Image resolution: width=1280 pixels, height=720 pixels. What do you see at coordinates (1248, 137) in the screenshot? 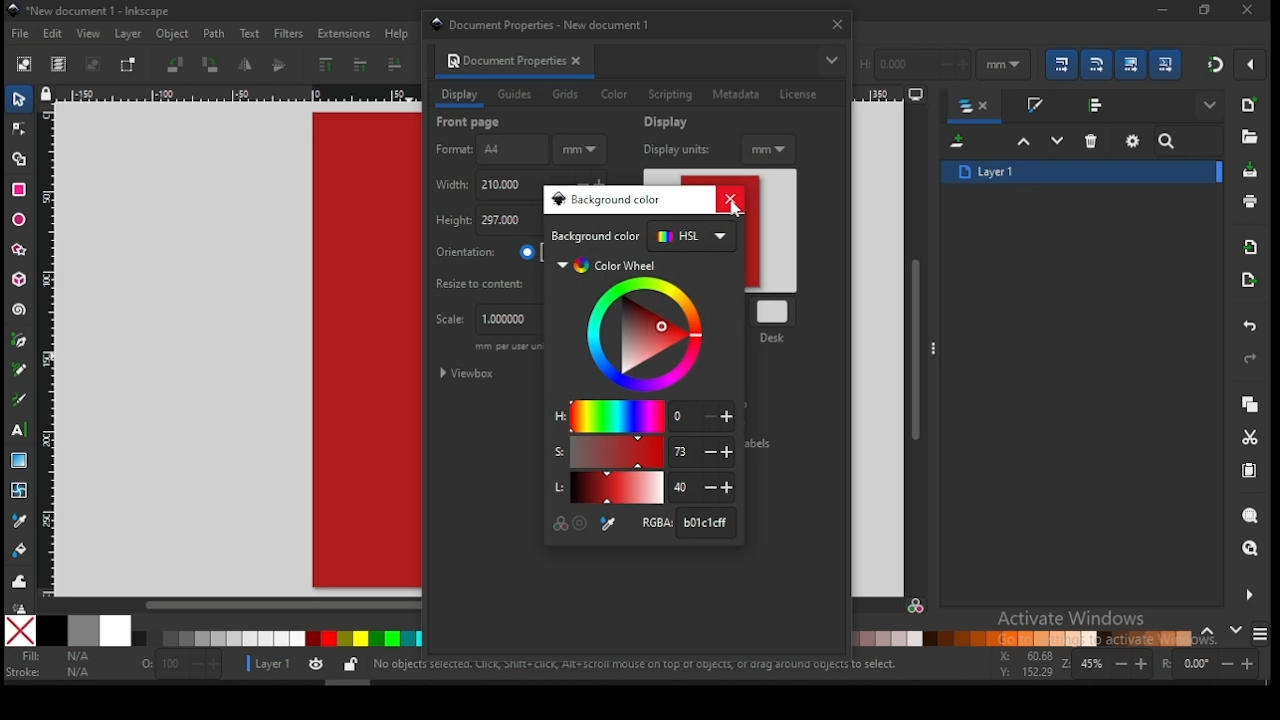
I see `open` at bounding box center [1248, 137].